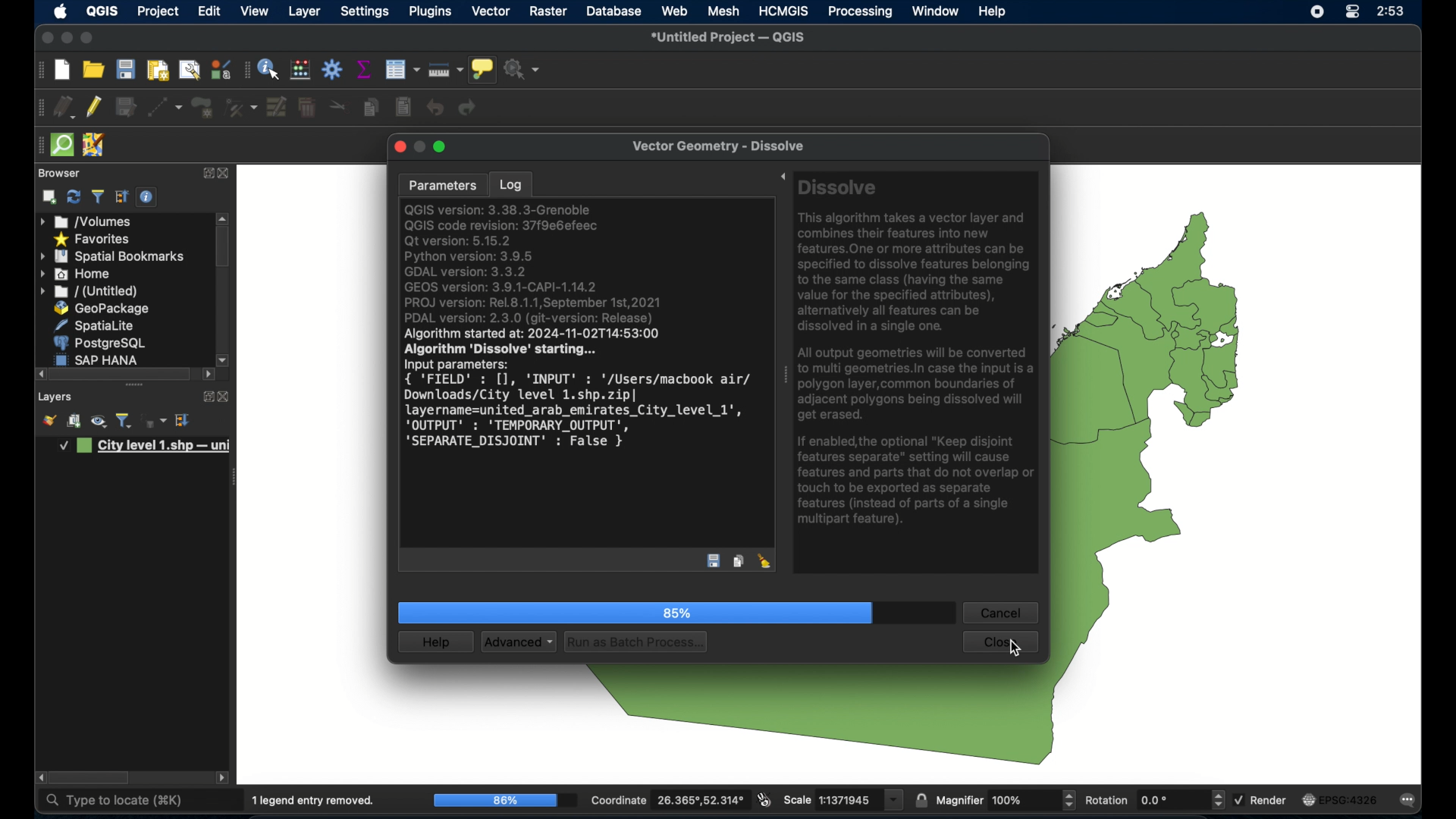 The image size is (1456, 819). What do you see at coordinates (504, 801) in the screenshot?
I see `86%` at bounding box center [504, 801].